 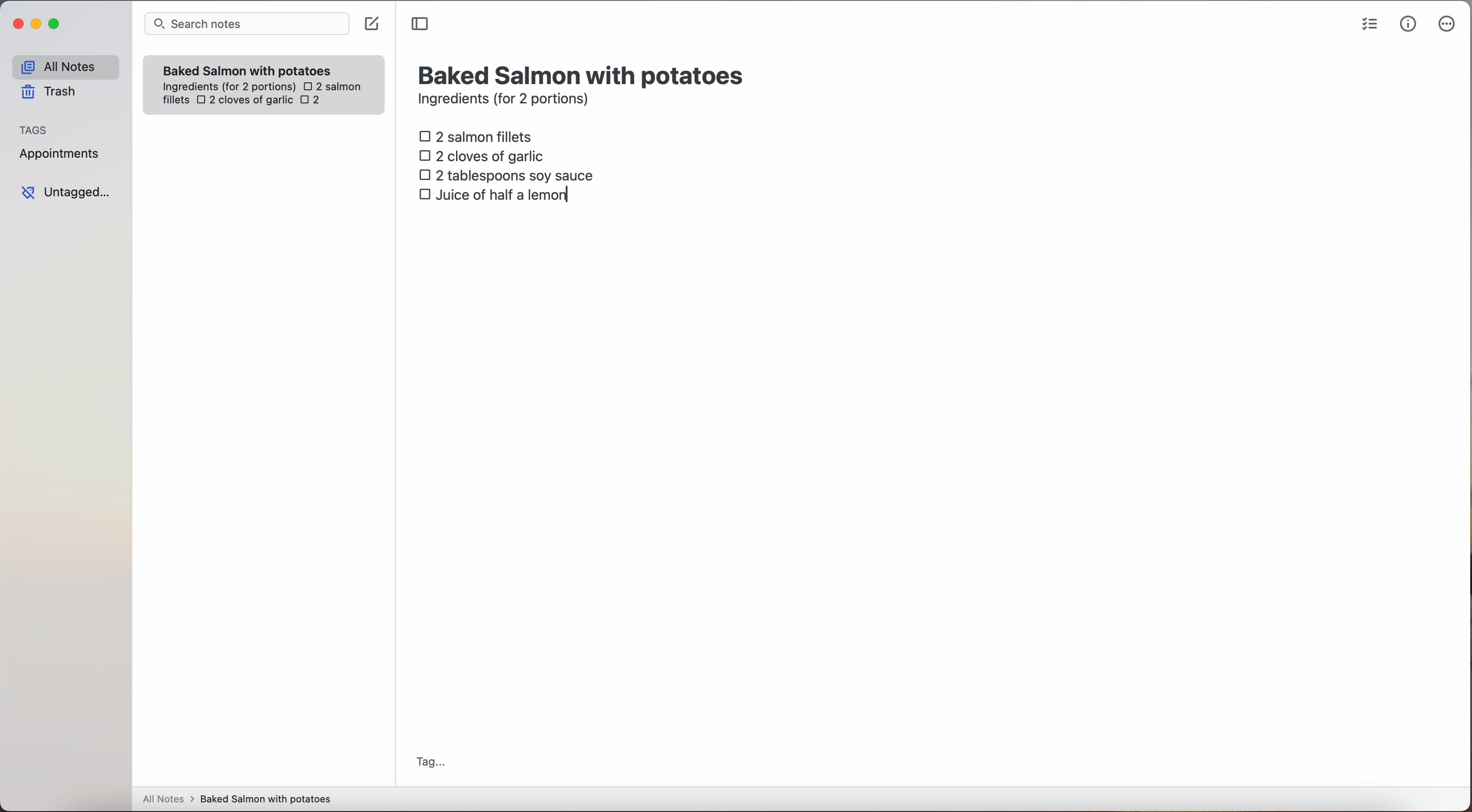 I want to click on trash, so click(x=53, y=92).